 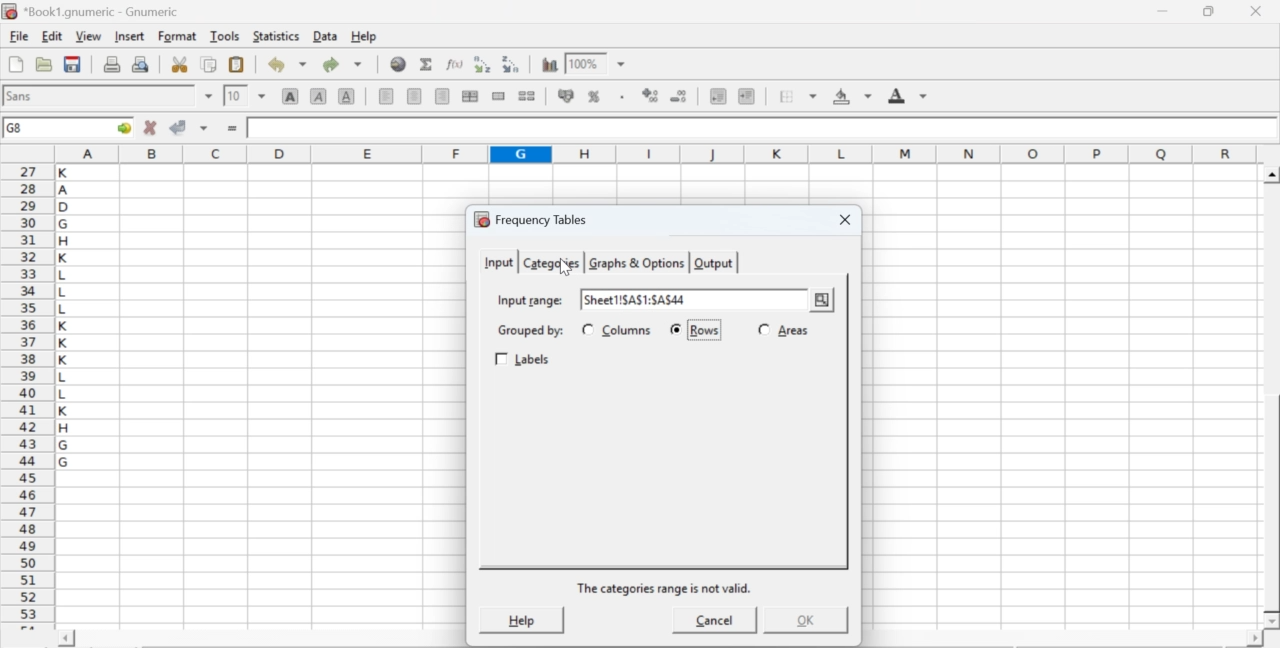 What do you see at coordinates (628, 330) in the screenshot?
I see `columns` at bounding box center [628, 330].